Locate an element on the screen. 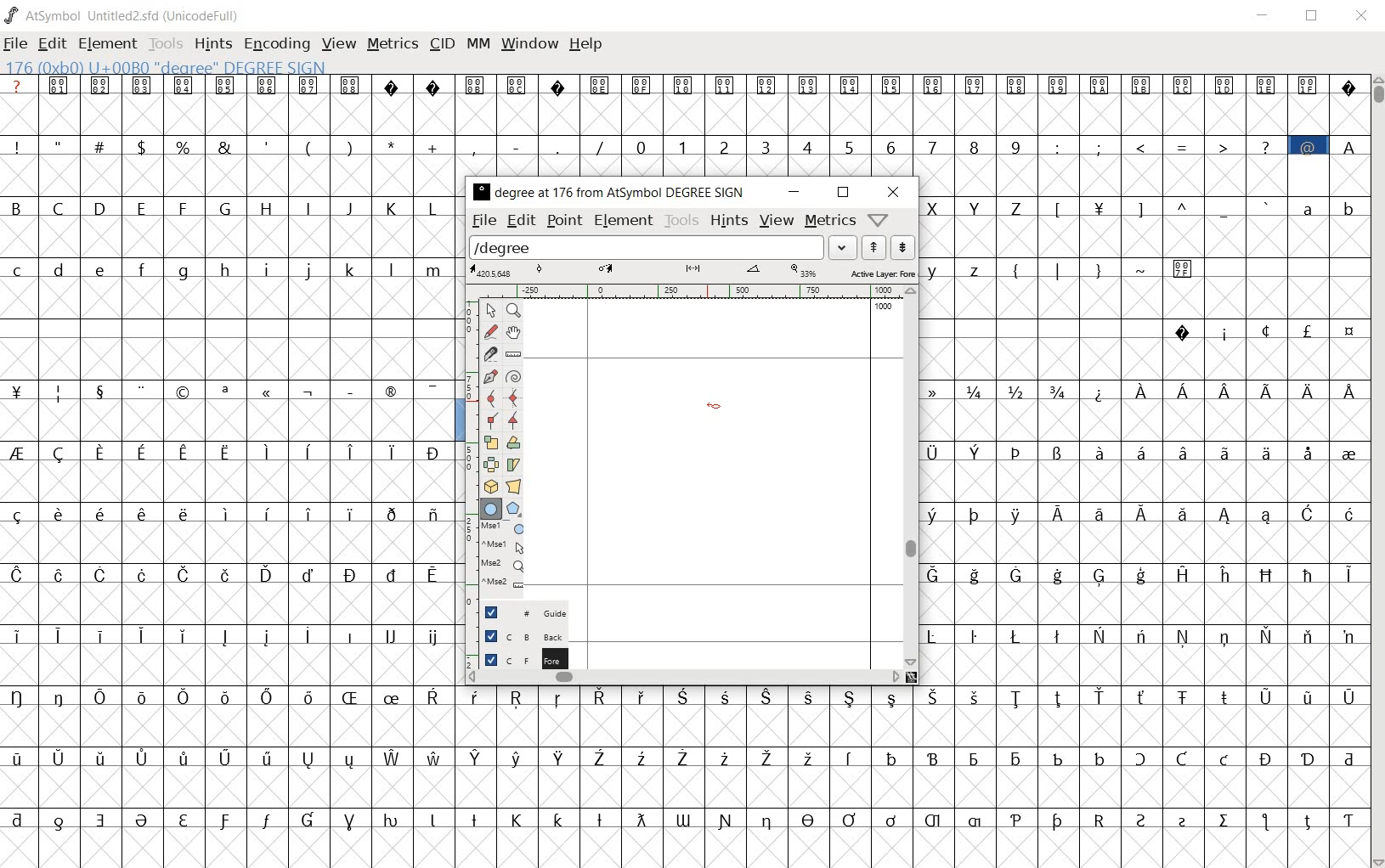 The height and width of the screenshot is (868, 1385). capital letters B - Z is located at coordinates (230, 206).